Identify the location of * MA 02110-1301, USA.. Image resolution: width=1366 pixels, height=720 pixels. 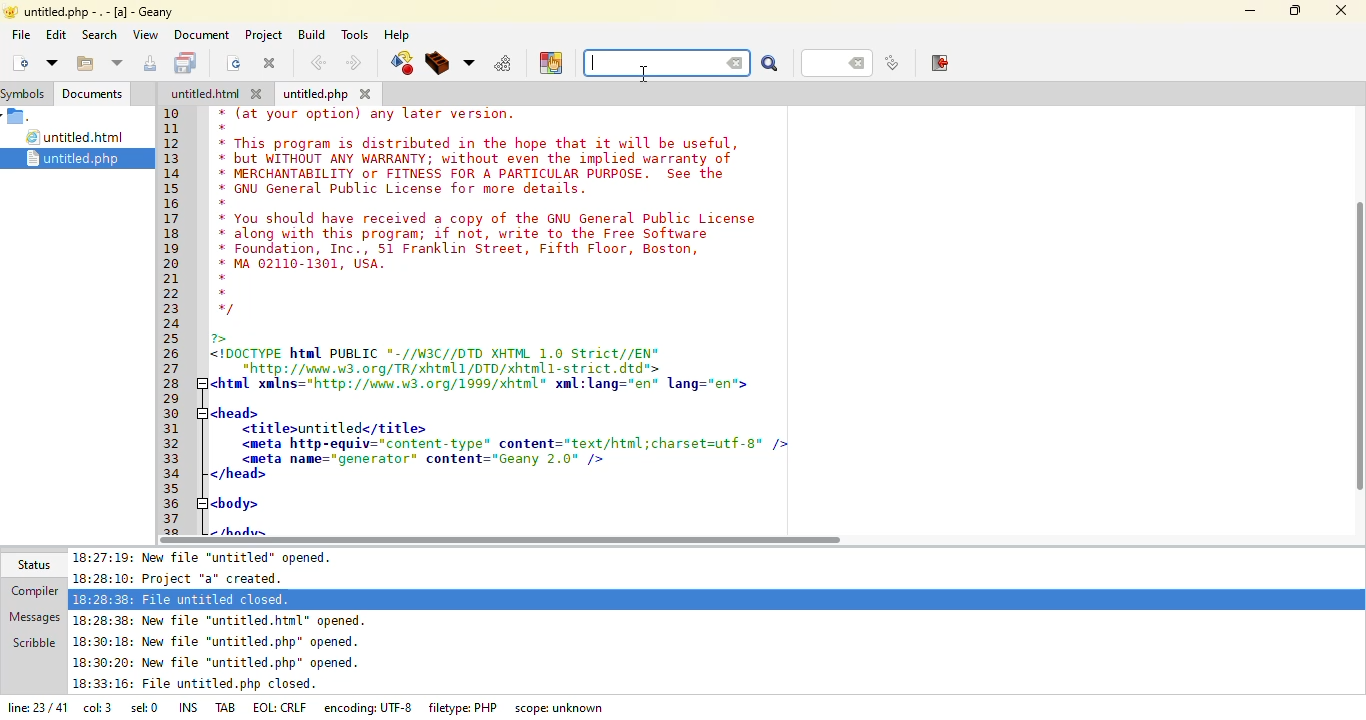
(300, 264).